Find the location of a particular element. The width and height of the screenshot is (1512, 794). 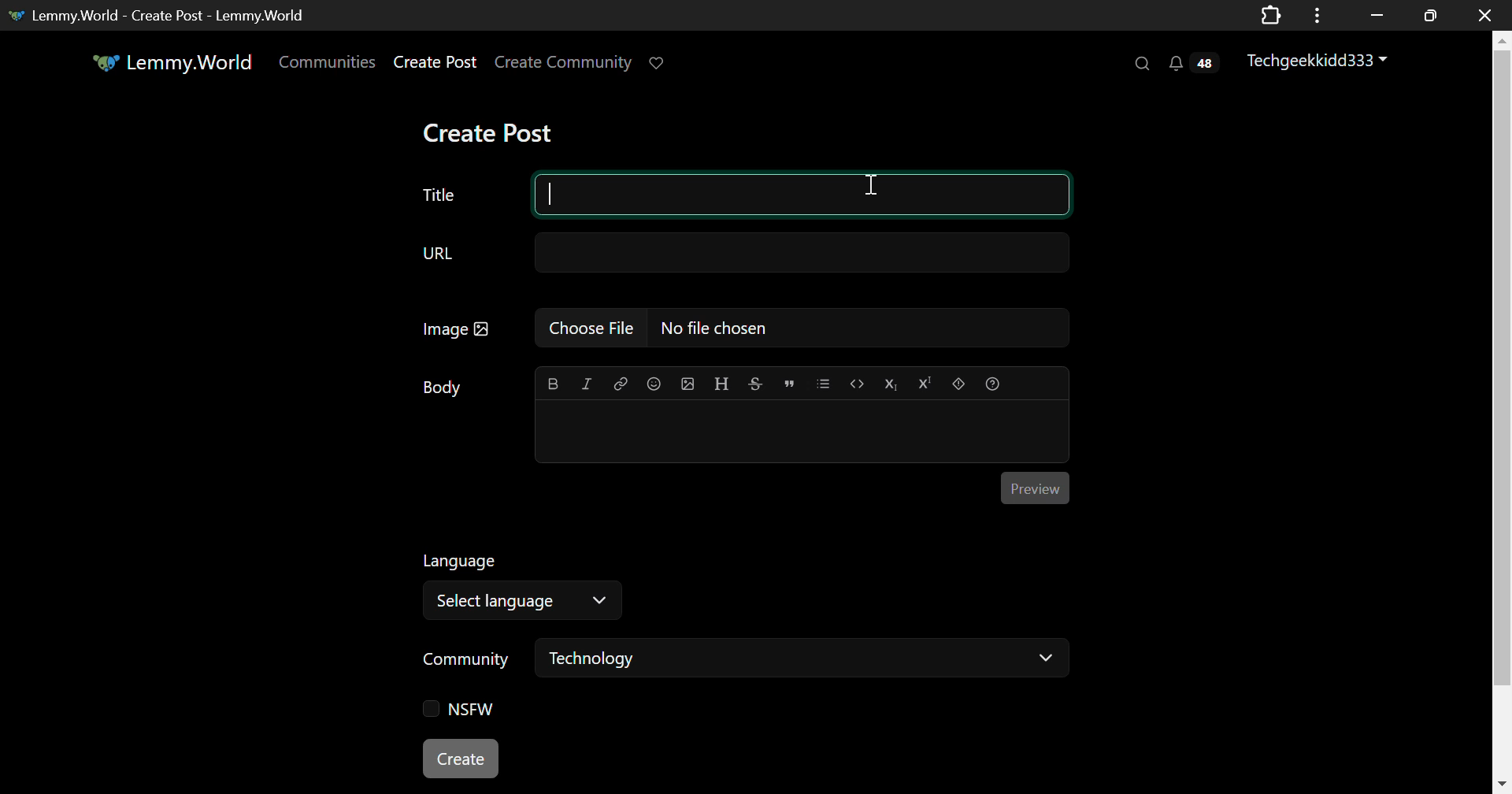

Select Language is located at coordinates (528, 601).